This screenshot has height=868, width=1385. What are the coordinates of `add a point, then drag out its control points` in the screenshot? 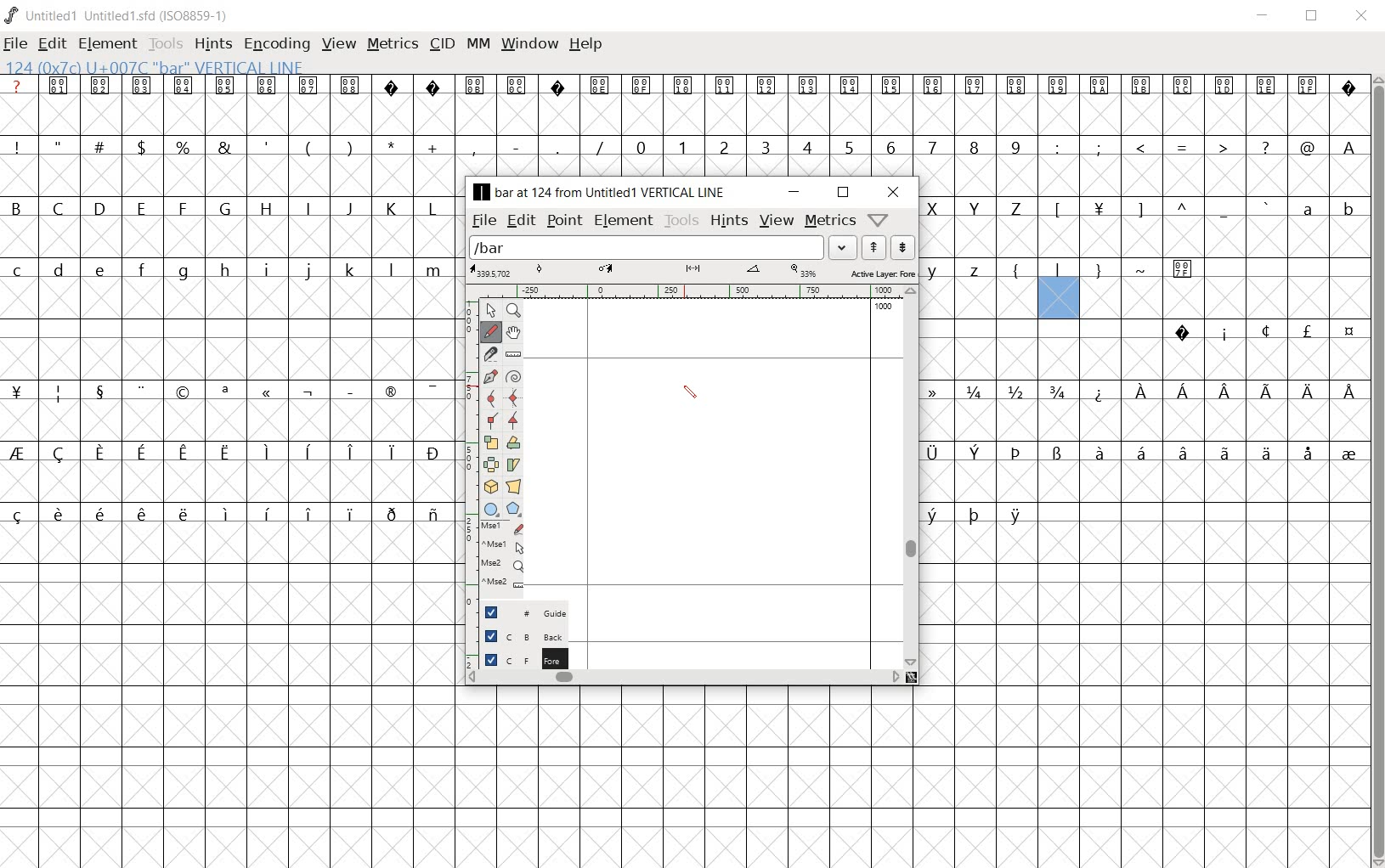 It's located at (489, 375).